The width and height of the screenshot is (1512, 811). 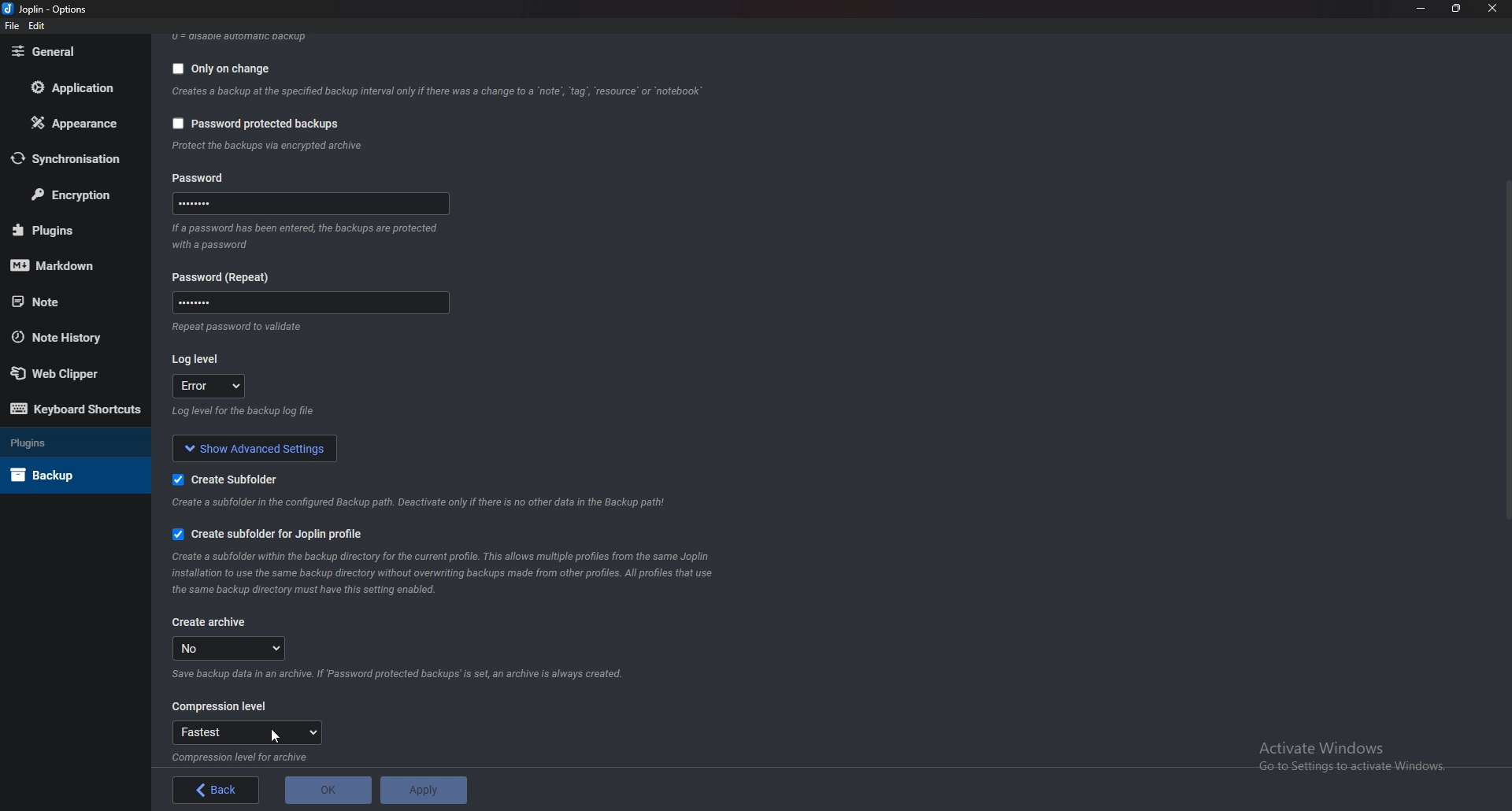 I want to click on Password, so click(x=309, y=206).